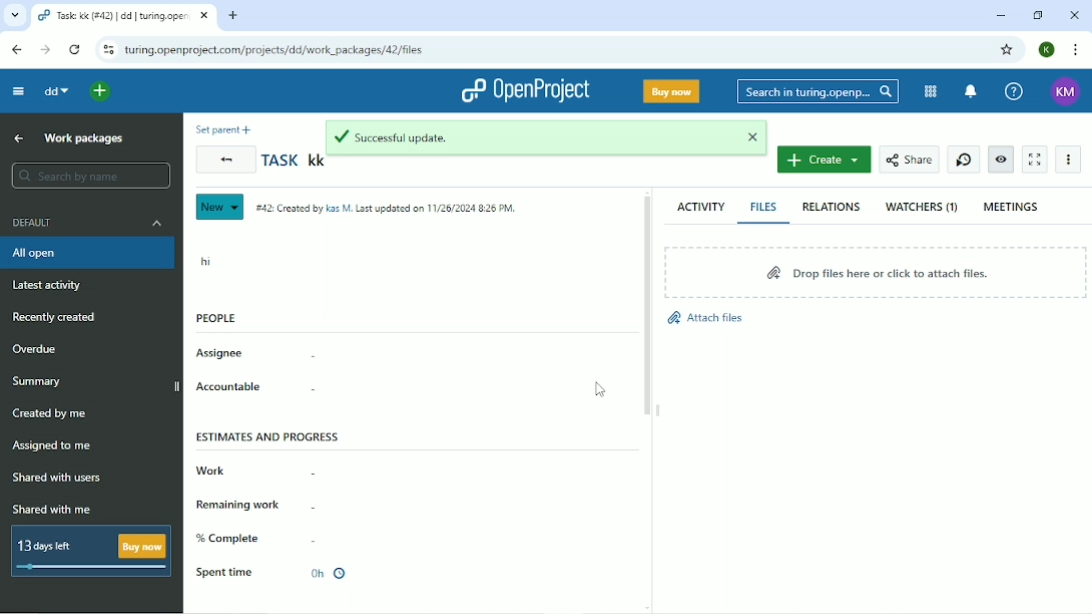 Image resolution: width=1092 pixels, height=614 pixels. I want to click on Created by me, so click(53, 413).